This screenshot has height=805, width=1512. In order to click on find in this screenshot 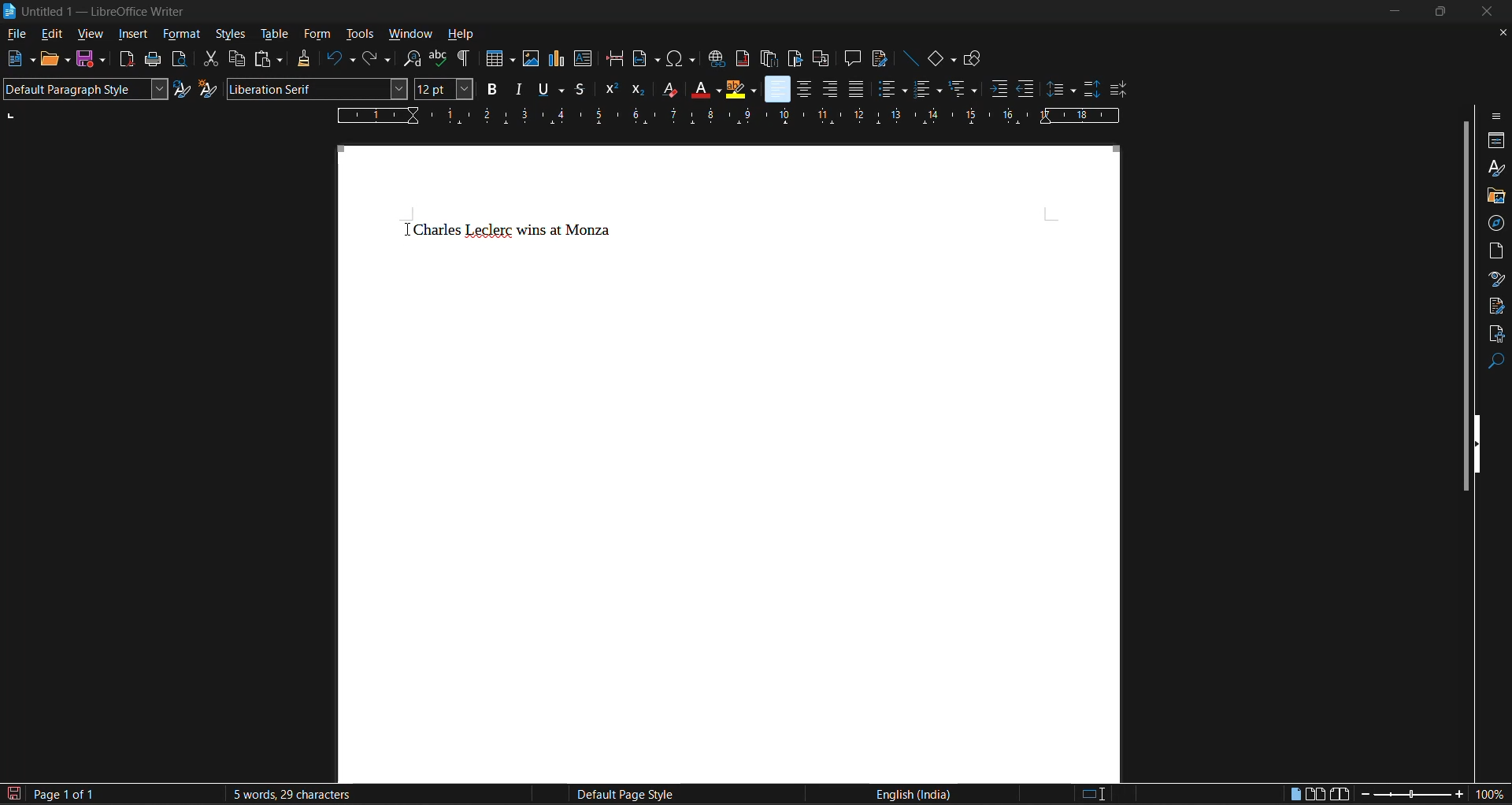, I will do `click(1496, 362)`.